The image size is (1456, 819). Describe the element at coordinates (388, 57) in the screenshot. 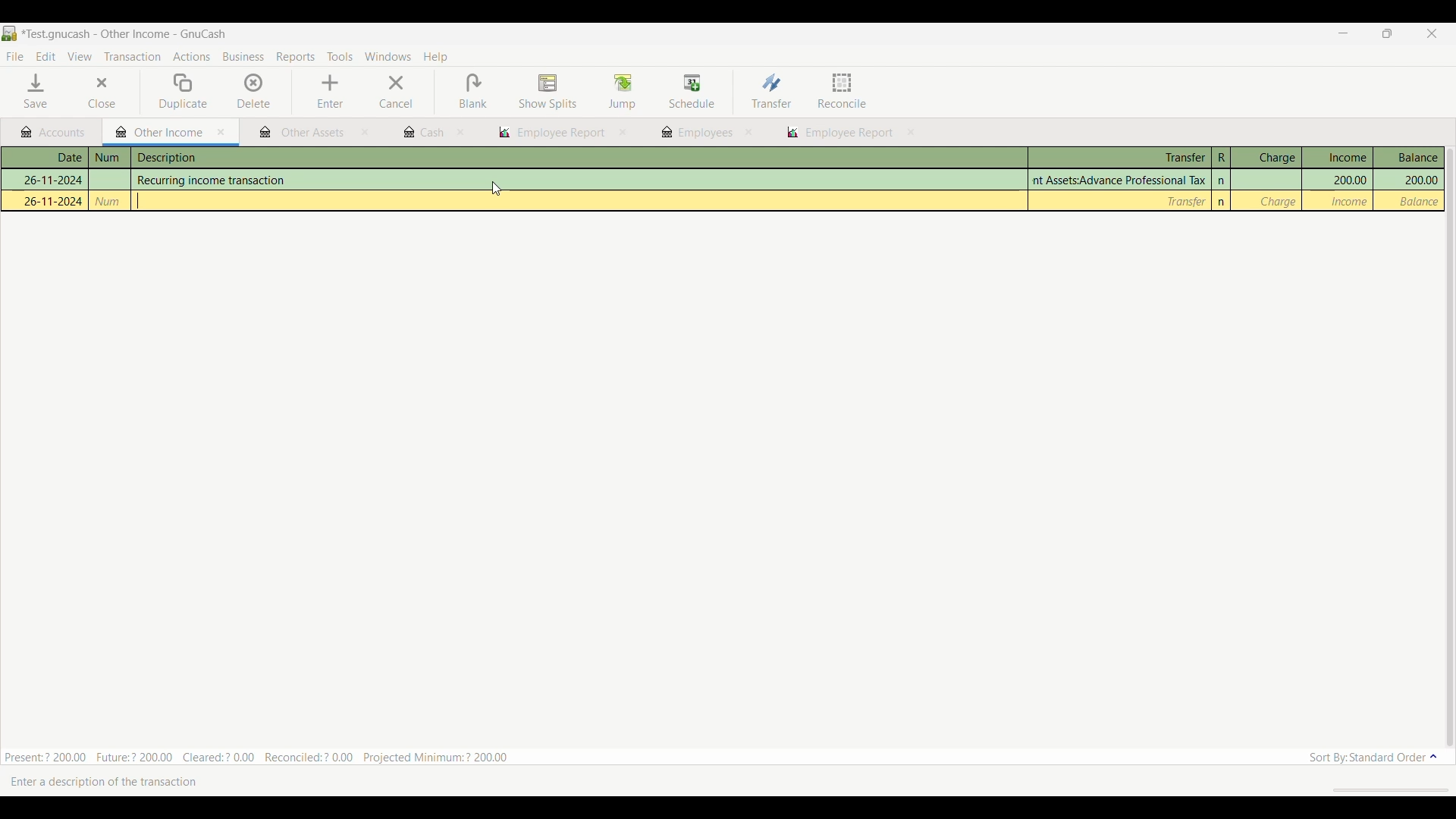

I see `Windows menu` at that location.